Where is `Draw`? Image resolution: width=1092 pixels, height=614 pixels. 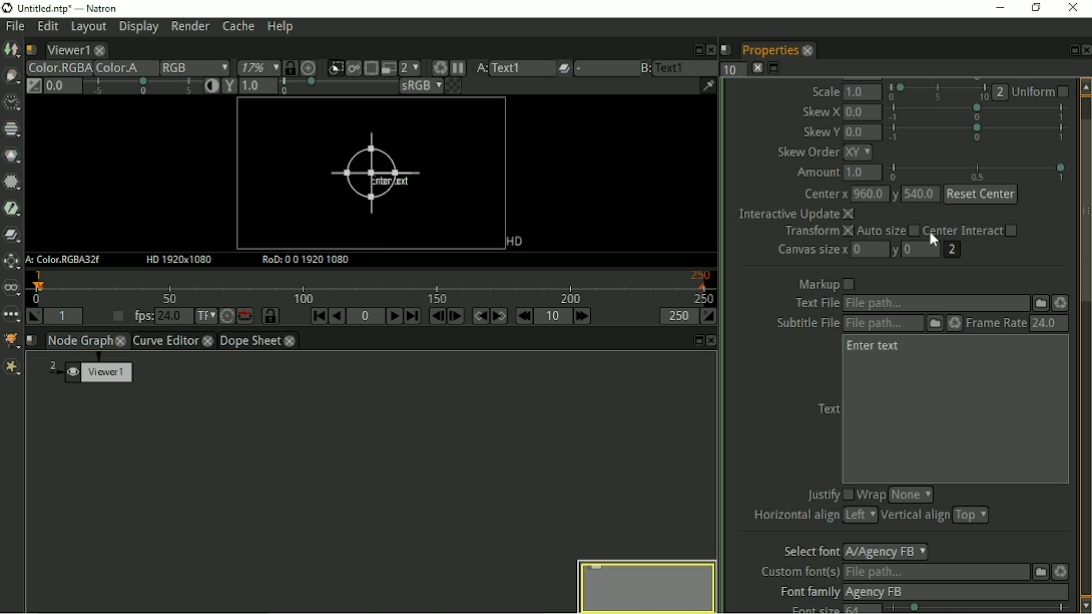 Draw is located at coordinates (11, 75).